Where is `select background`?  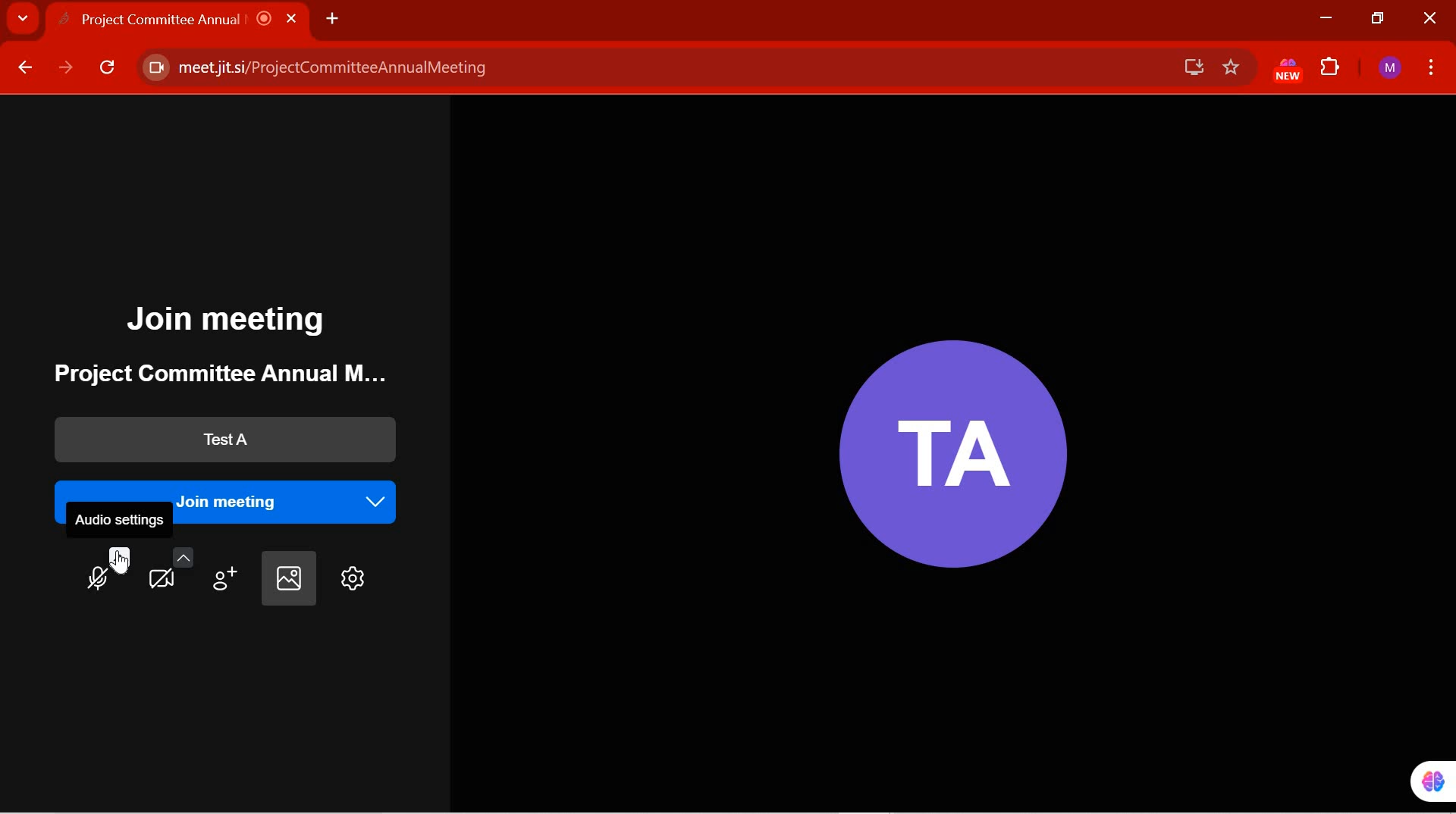
select background is located at coordinates (287, 579).